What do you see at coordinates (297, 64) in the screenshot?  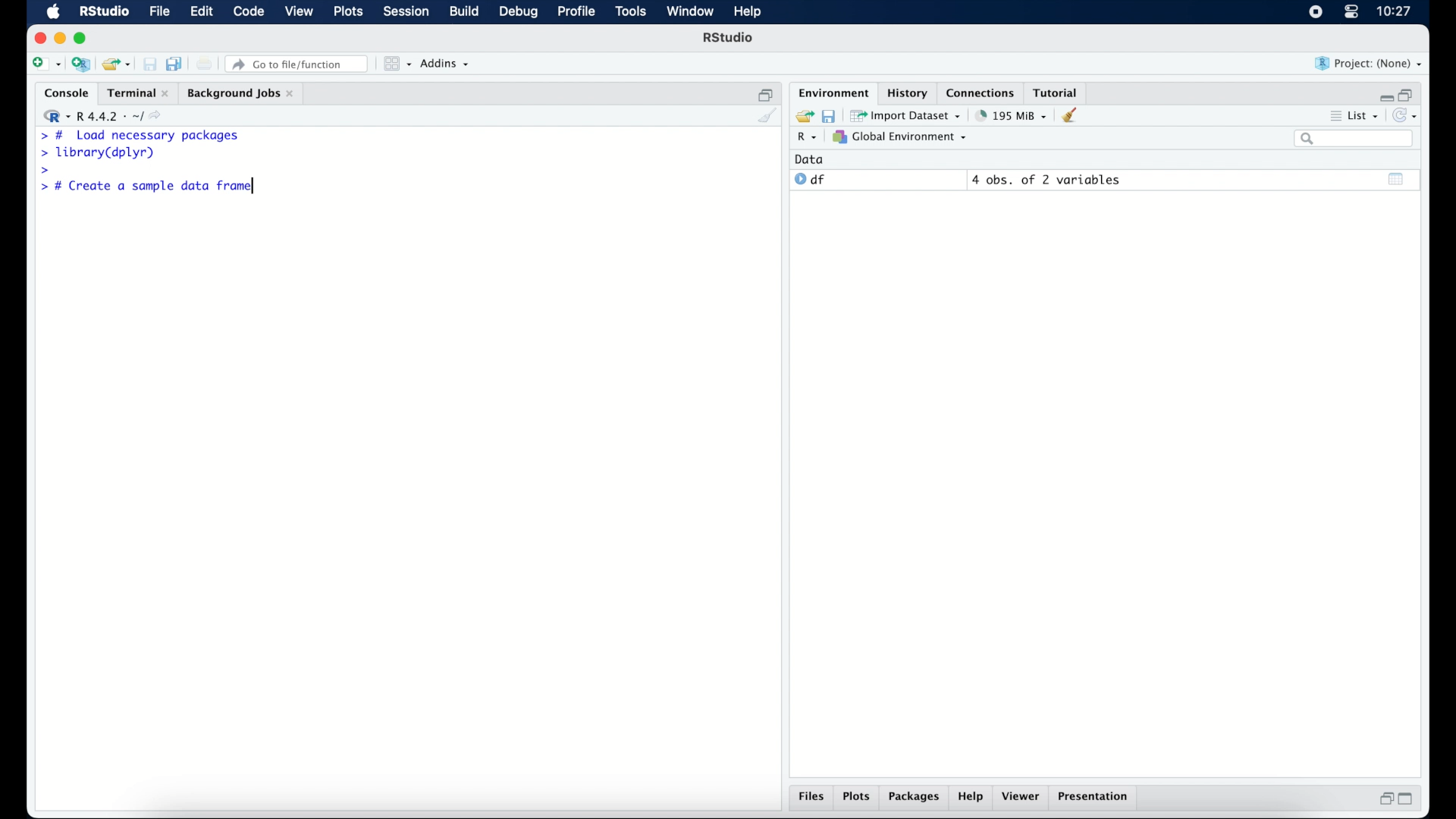 I see `go to file/function` at bounding box center [297, 64].